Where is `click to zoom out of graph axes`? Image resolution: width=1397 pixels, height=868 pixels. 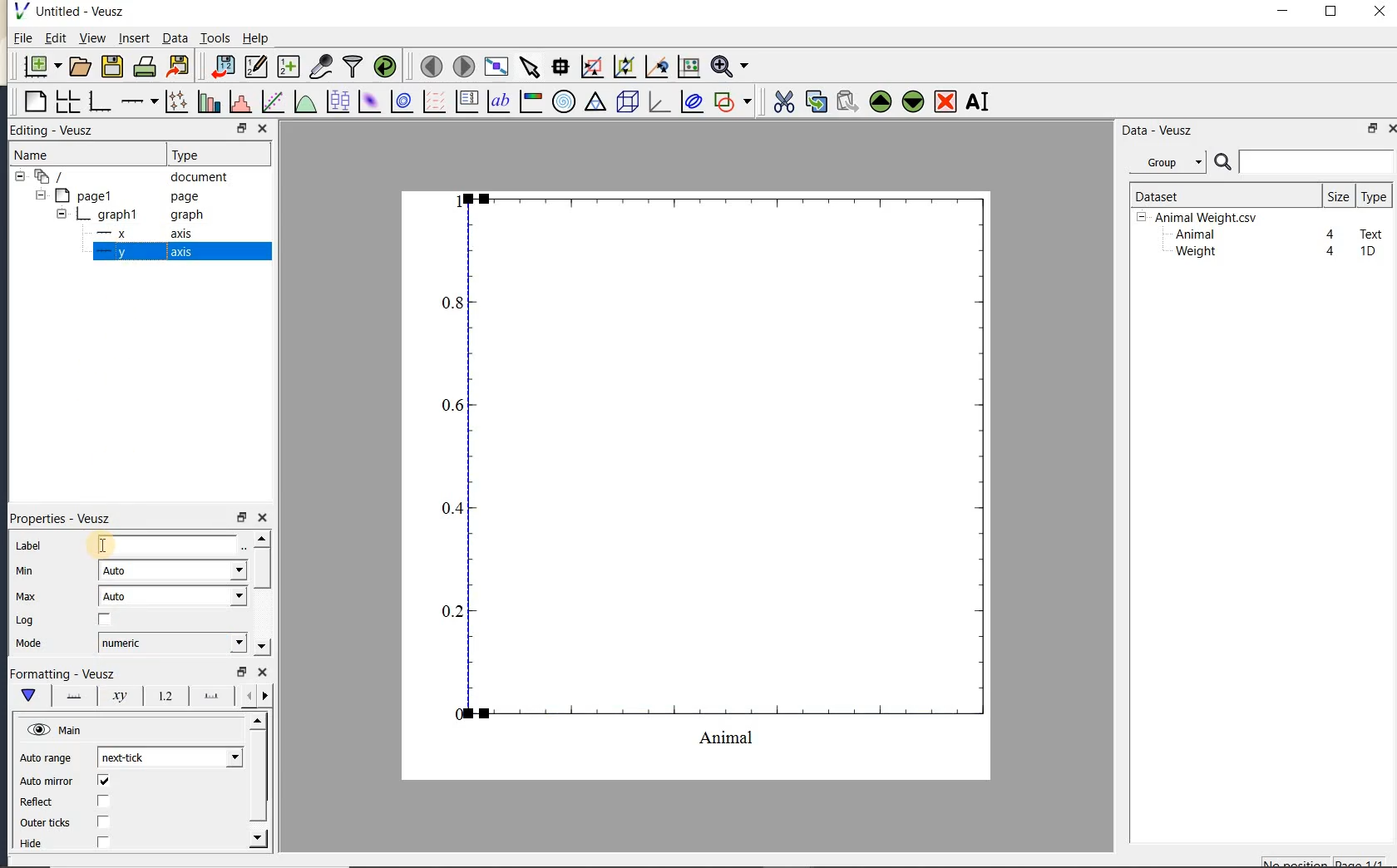
click to zoom out of graph axes is located at coordinates (625, 66).